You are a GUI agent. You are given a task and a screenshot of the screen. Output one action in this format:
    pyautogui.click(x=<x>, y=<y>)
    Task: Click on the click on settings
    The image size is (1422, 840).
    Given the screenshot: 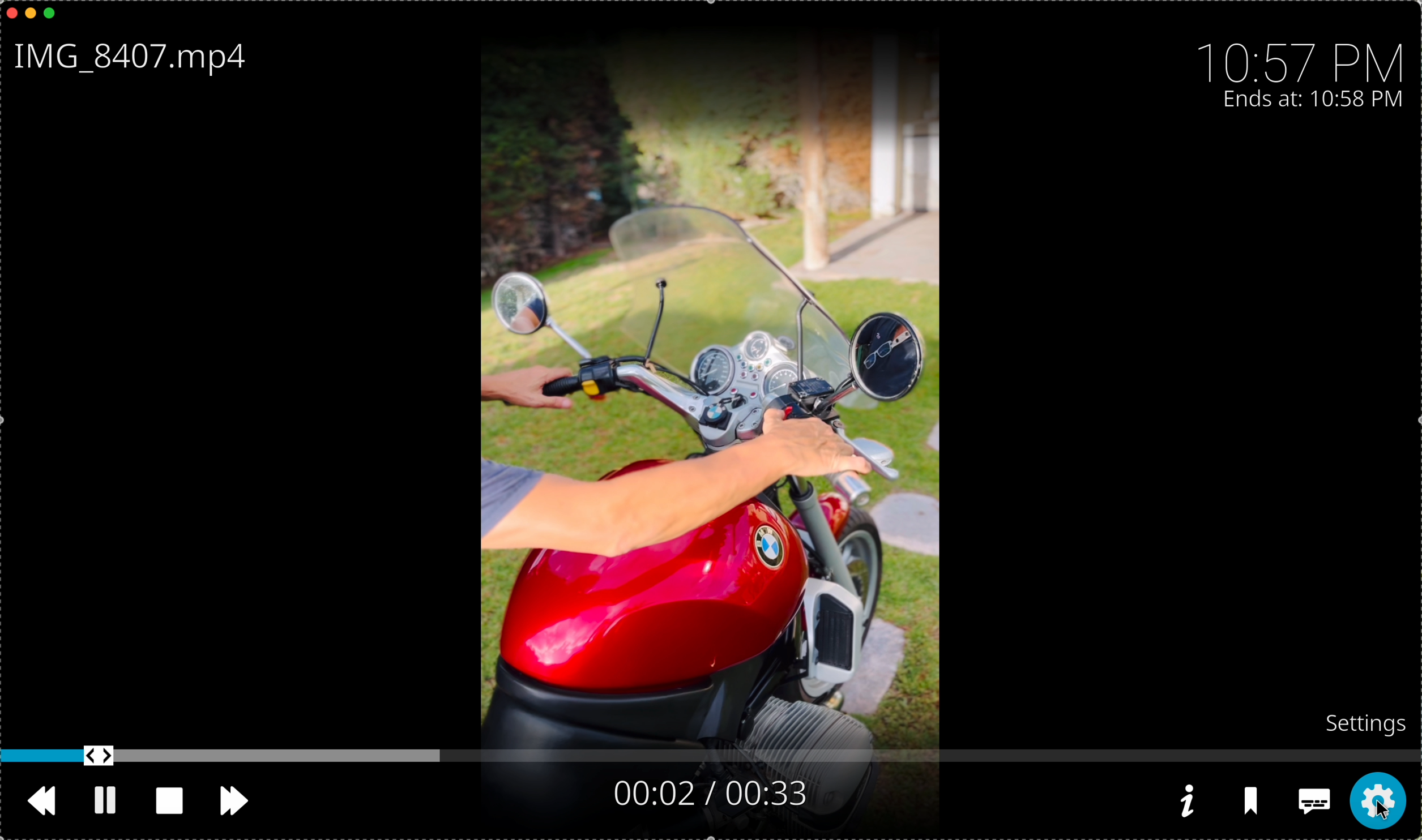 What is the action you would take?
    pyautogui.click(x=1375, y=802)
    